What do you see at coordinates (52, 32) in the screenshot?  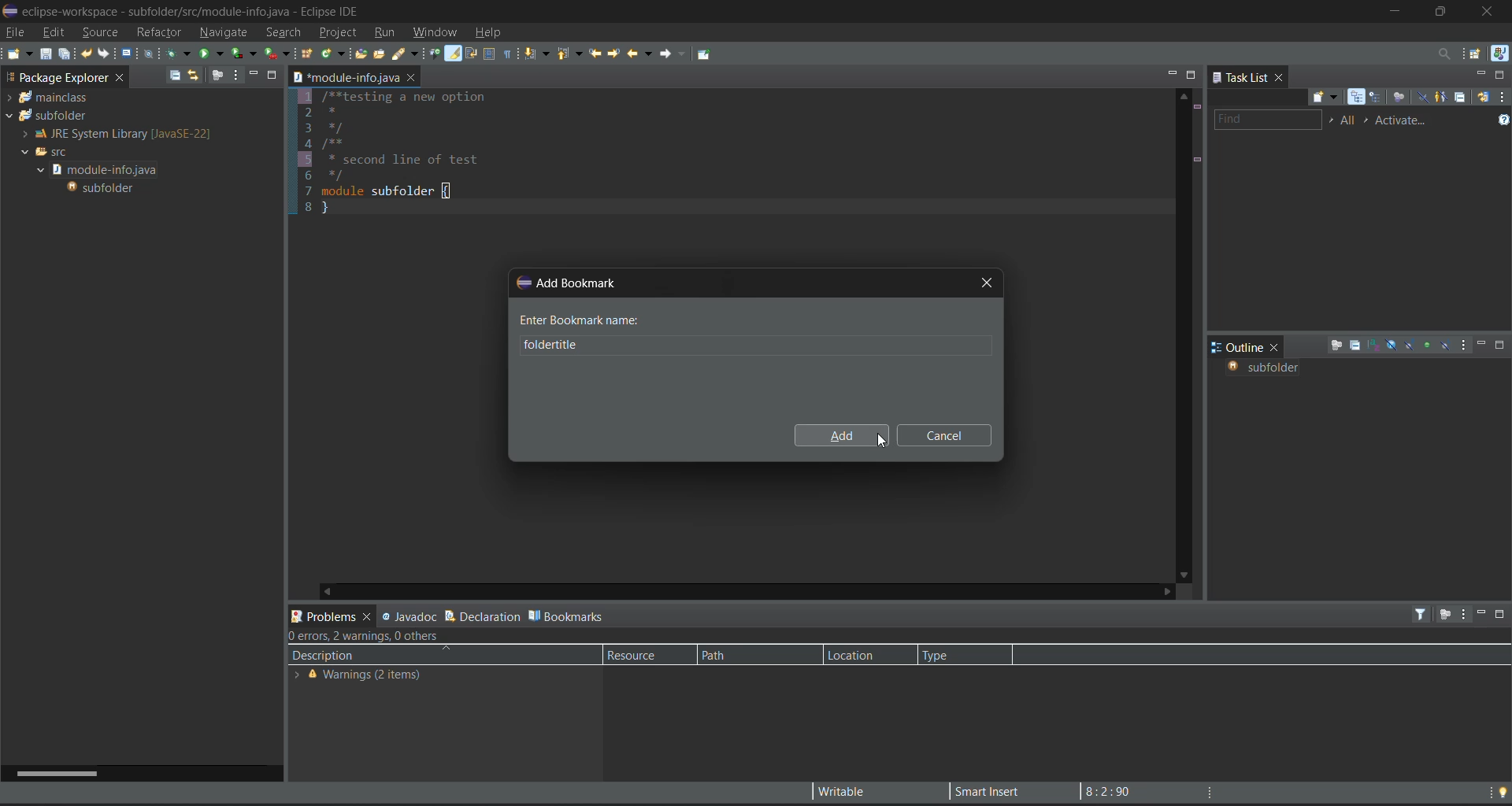 I see `edit` at bounding box center [52, 32].